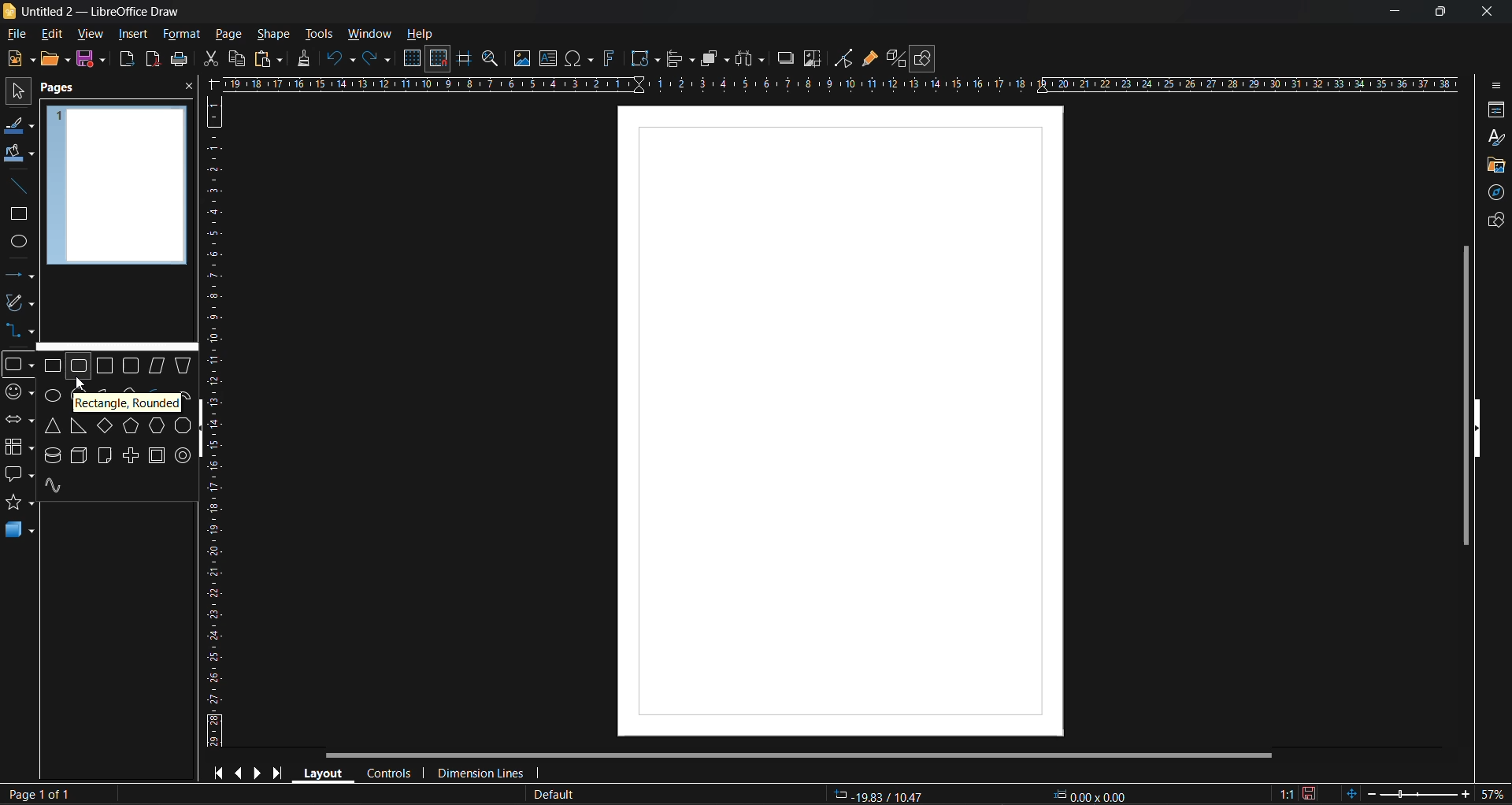 The image size is (1512, 805). What do you see at coordinates (480, 774) in the screenshot?
I see `dimension lines` at bounding box center [480, 774].